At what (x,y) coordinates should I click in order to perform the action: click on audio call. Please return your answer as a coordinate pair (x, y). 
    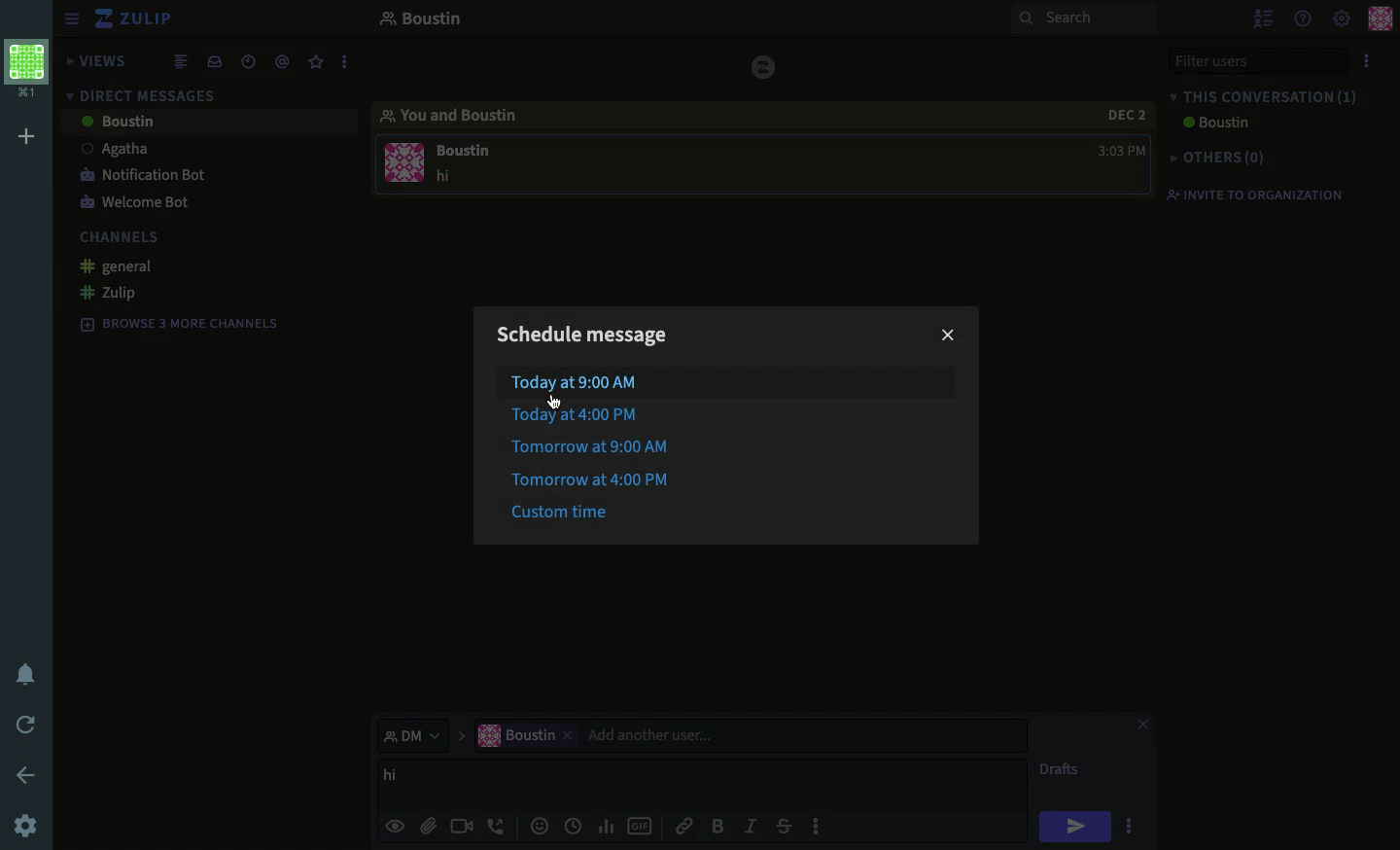
    Looking at the image, I should click on (496, 824).